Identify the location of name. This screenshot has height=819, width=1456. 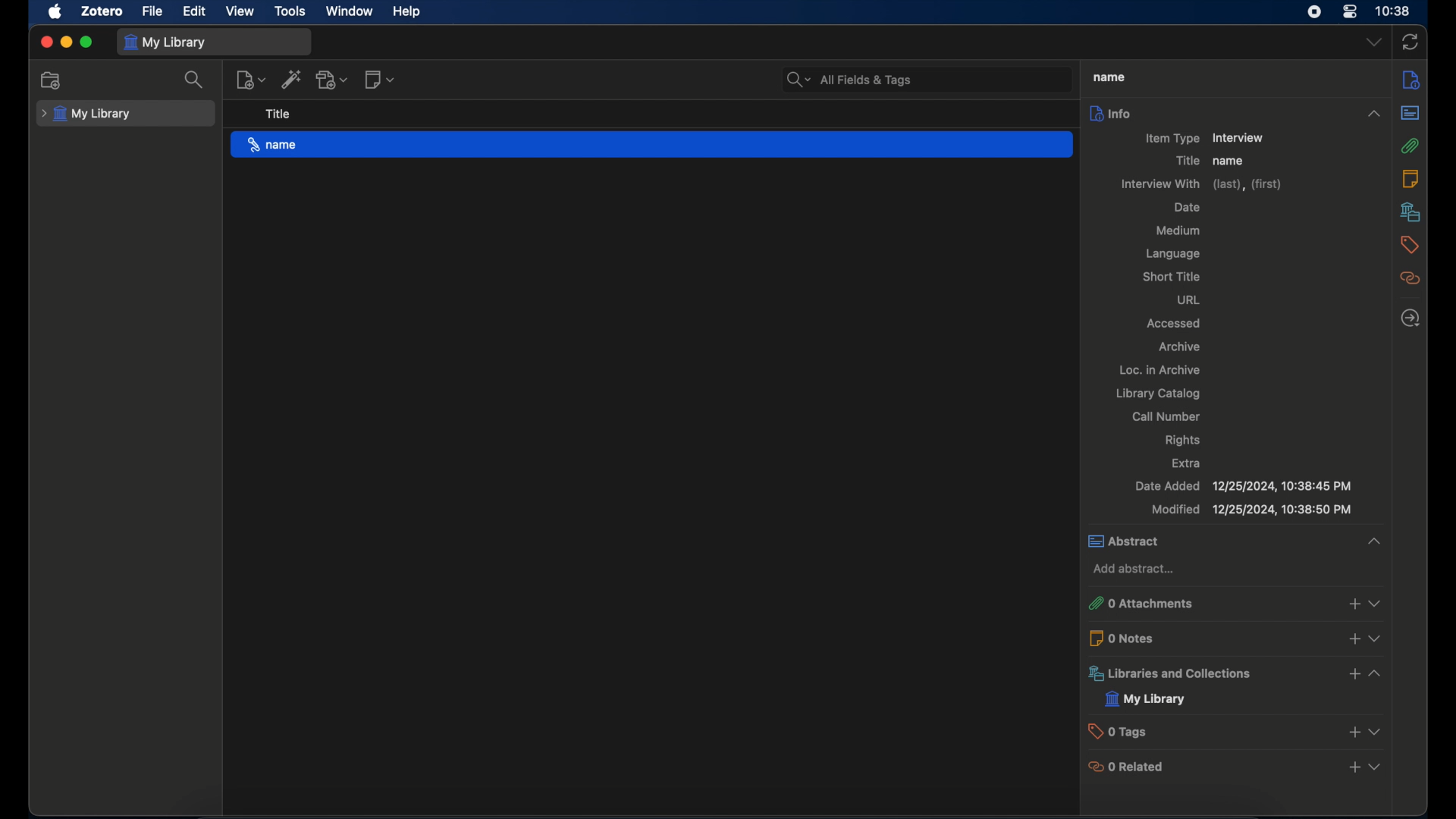
(1230, 161).